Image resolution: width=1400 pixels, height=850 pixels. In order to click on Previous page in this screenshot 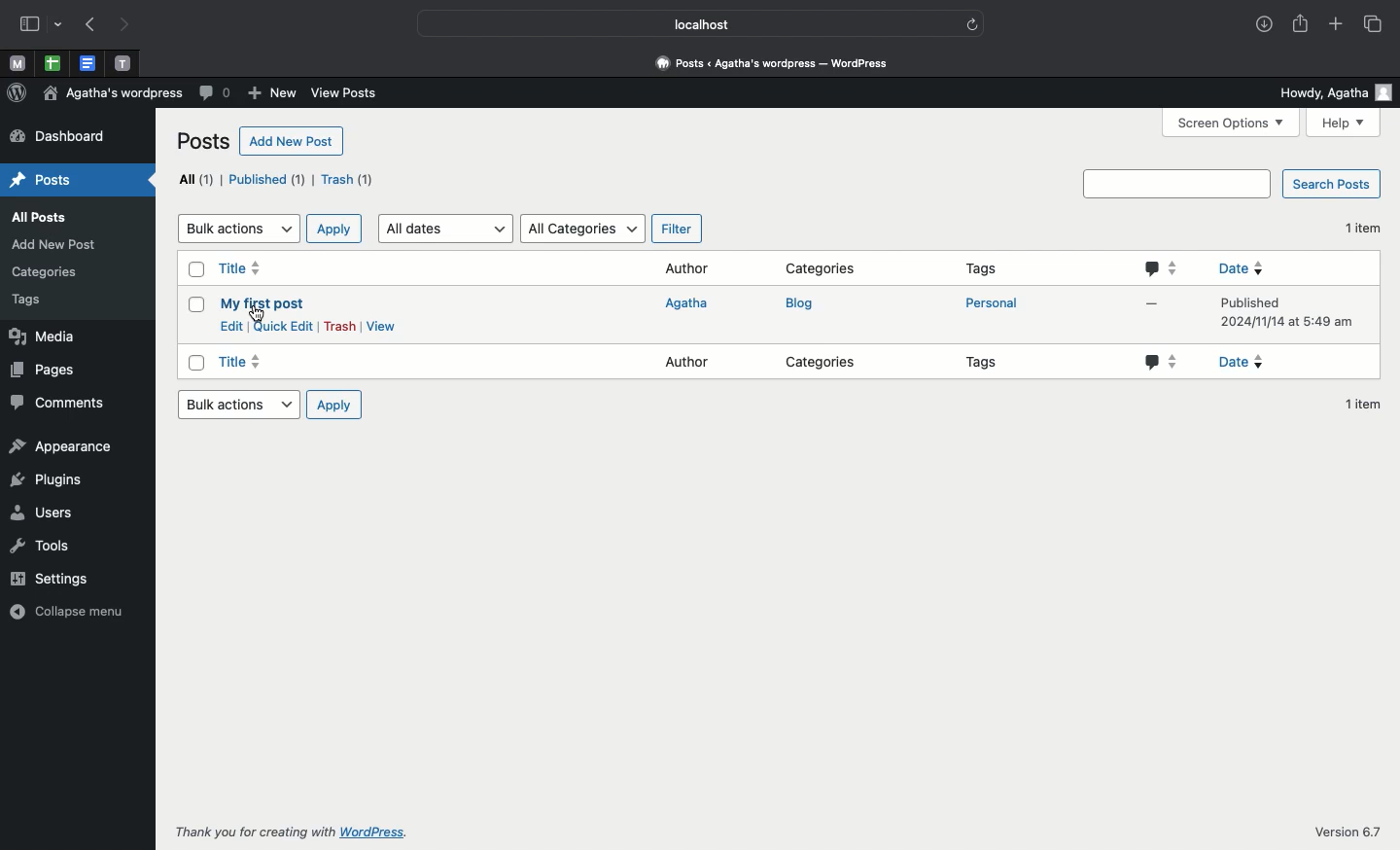, I will do `click(89, 25)`.